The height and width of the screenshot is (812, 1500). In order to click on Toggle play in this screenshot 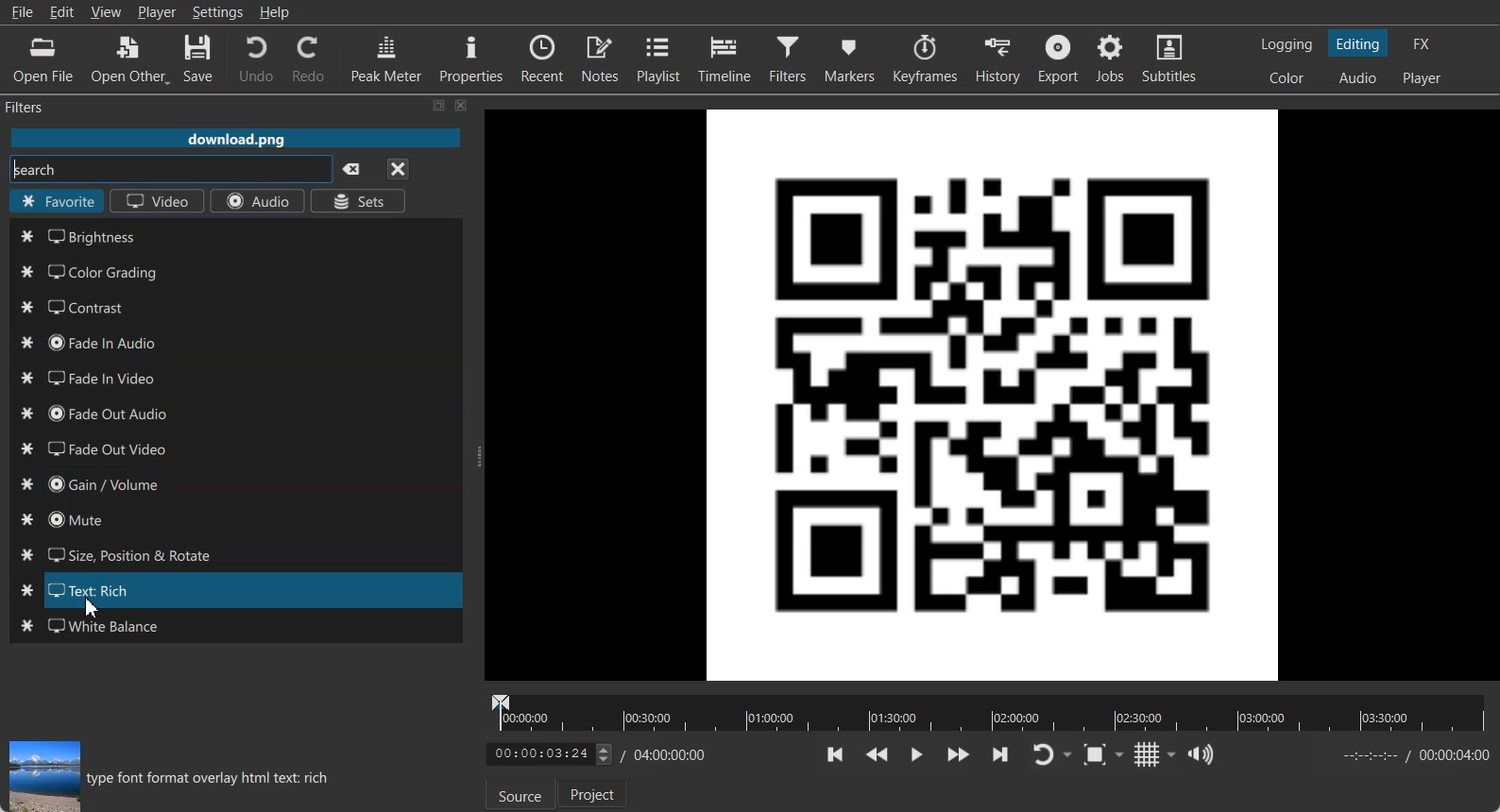, I will do `click(917, 754)`.